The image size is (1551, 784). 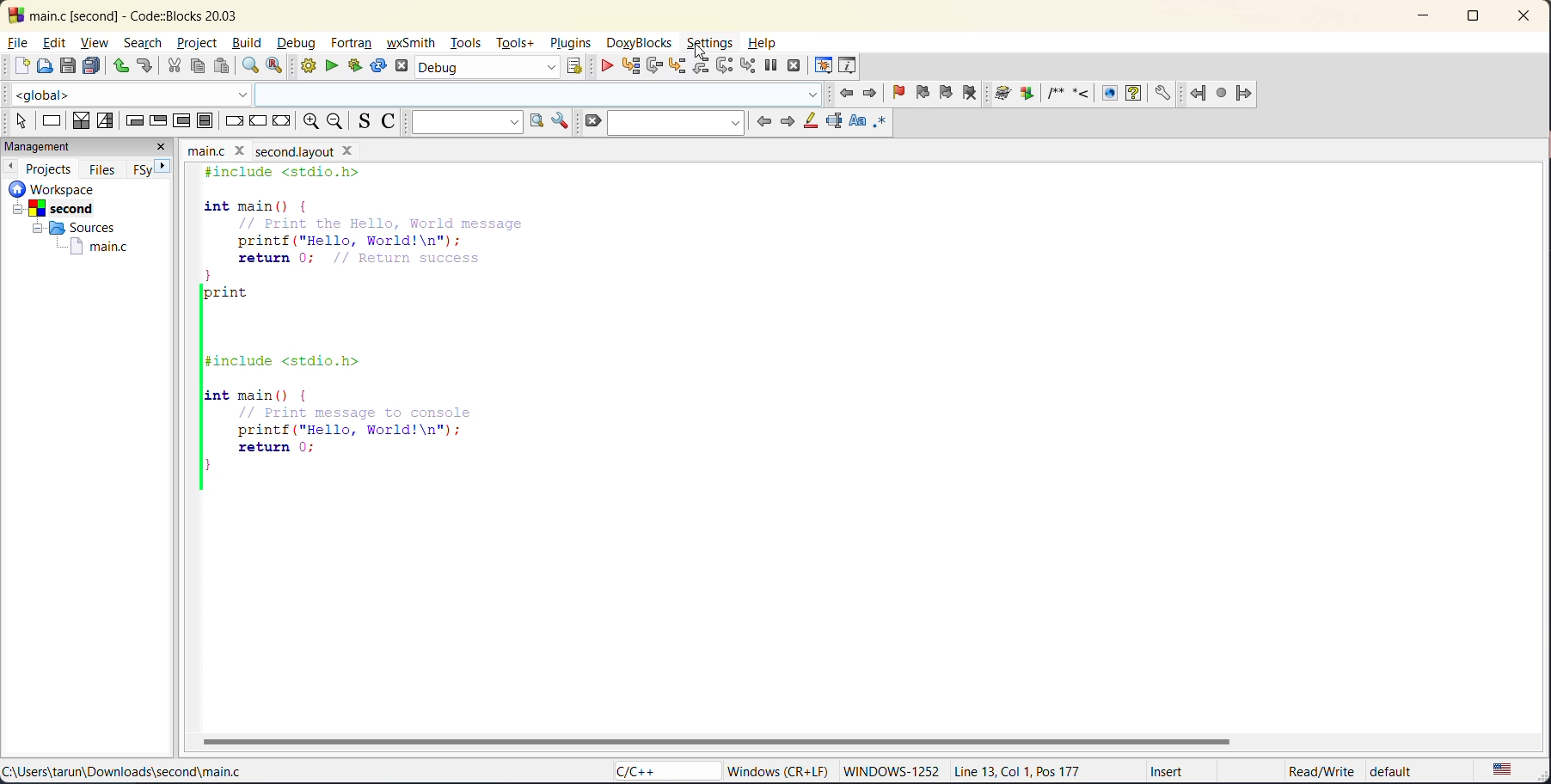 I want to click on debug, so click(x=603, y=65).